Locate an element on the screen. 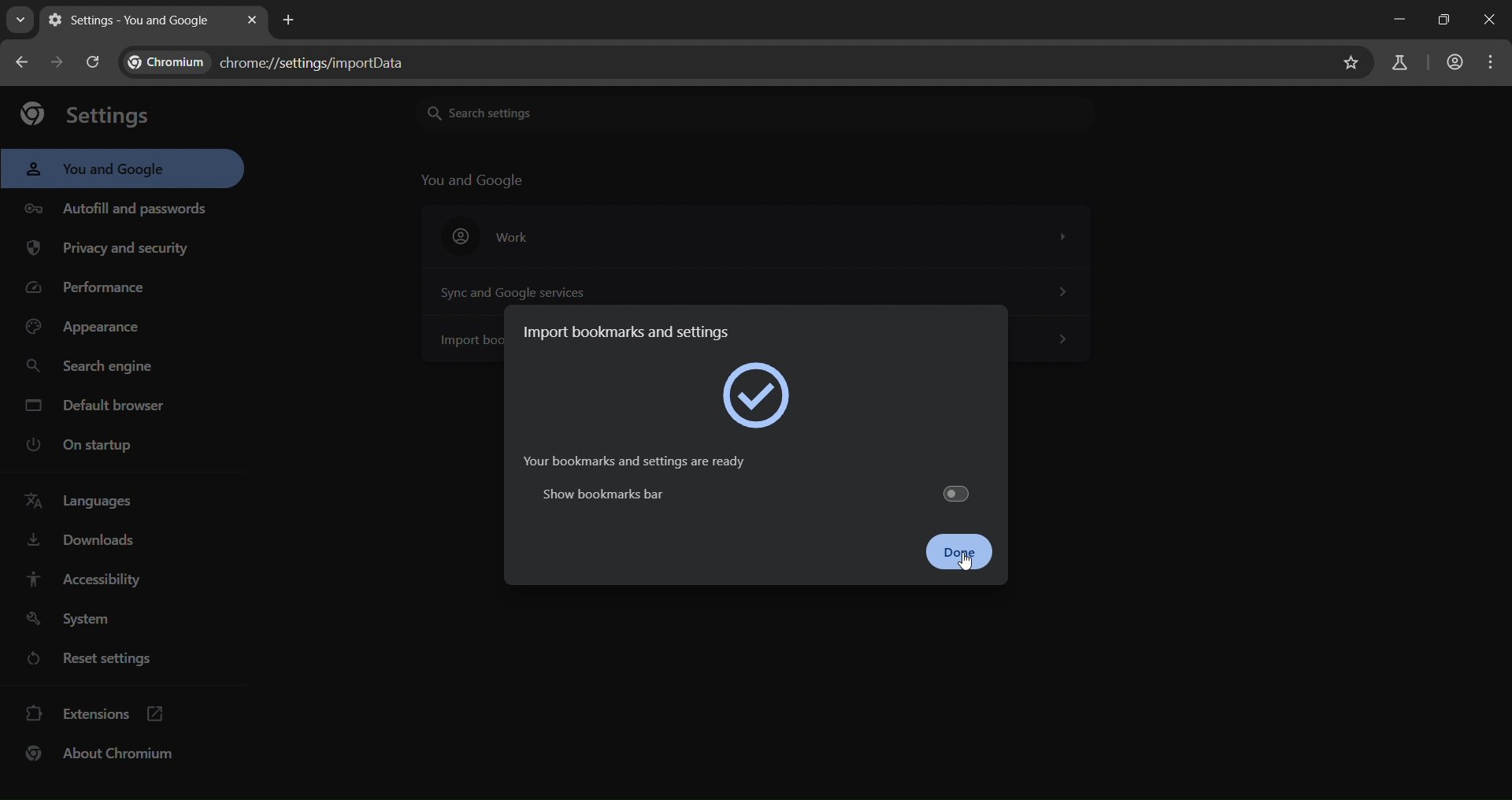 This screenshot has width=1512, height=800. Sync and Google services is located at coordinates (752, 289).